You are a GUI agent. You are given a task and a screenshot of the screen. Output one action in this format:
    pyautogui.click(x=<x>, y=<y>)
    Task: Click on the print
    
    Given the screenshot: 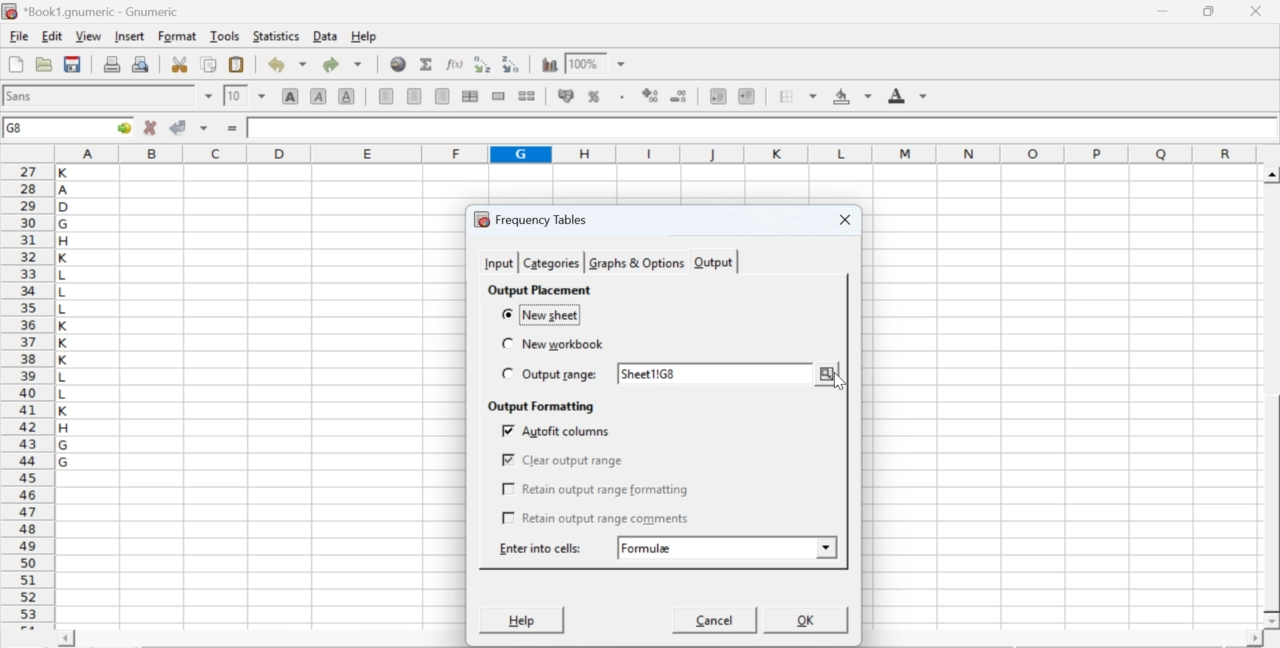 What is the action you would take?
    pyautogui.click(x=112, y=63)
    